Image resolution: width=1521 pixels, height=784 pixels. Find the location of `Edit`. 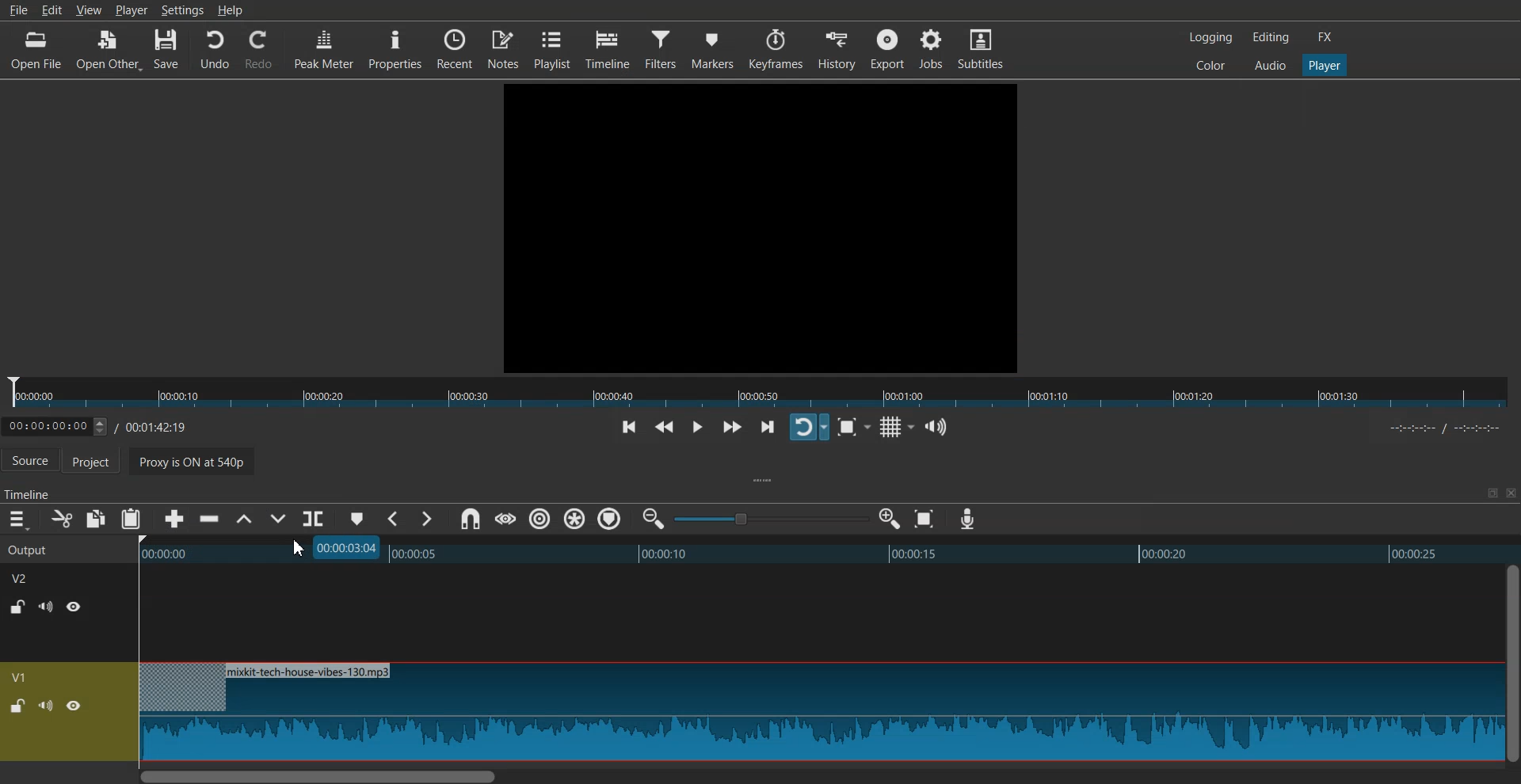

Edit is located at coordinates (51, 10).